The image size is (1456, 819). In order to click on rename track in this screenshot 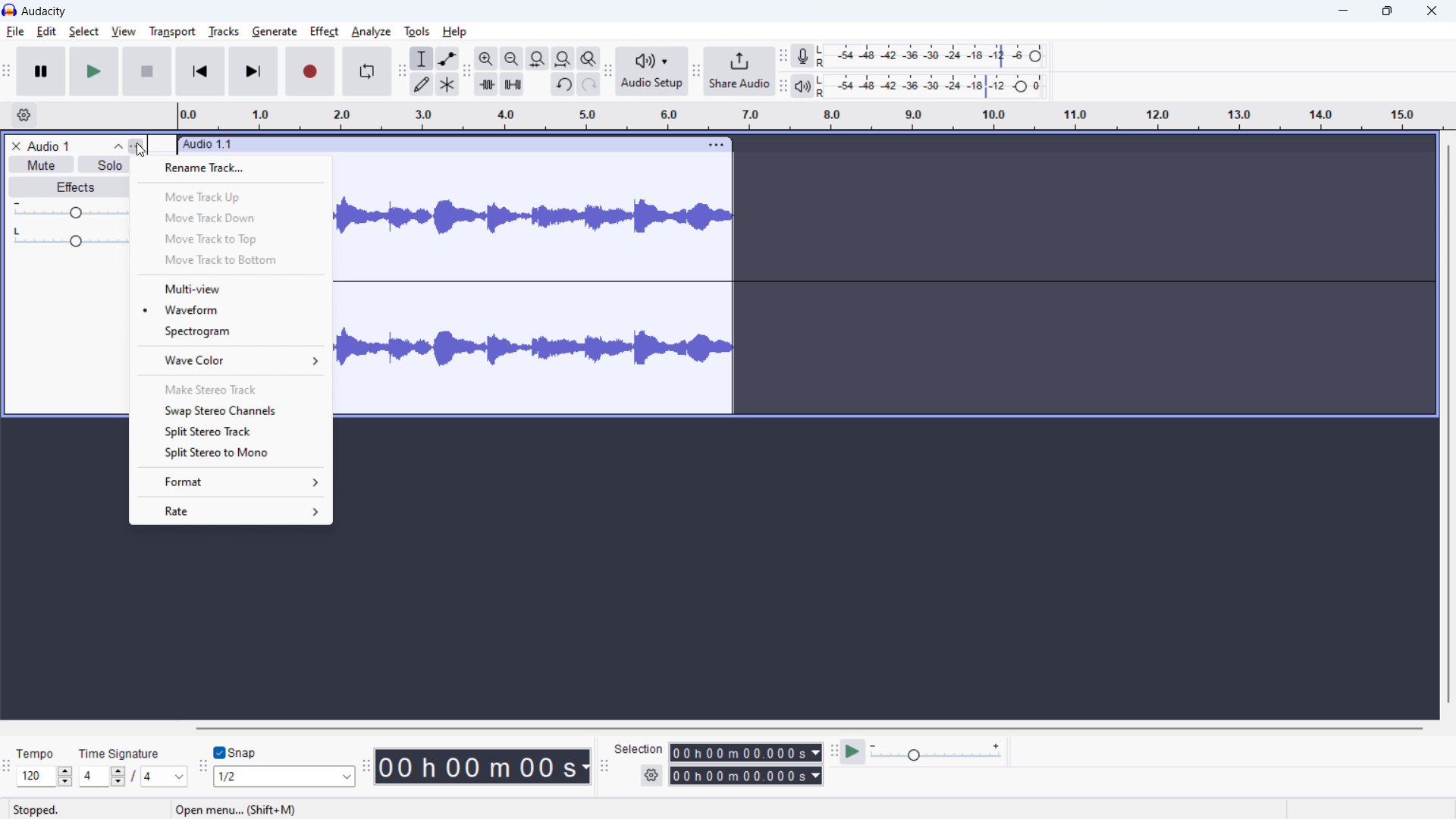, I will do `click(235, 170)`.